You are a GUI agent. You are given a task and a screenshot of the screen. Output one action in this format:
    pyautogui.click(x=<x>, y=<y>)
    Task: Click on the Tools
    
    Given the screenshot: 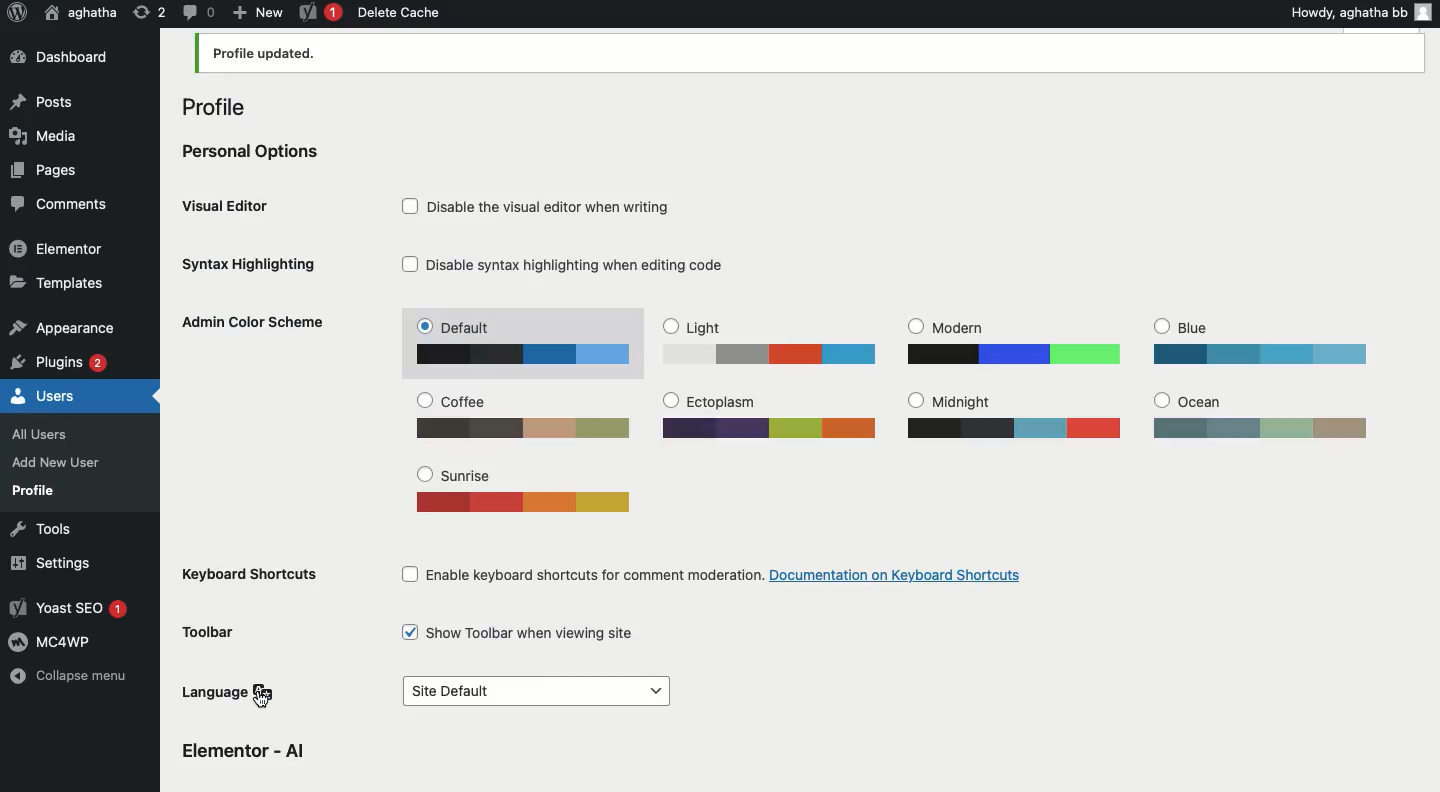 What is the action you would take?
    pyautogui.click(x=37, y=528)
    